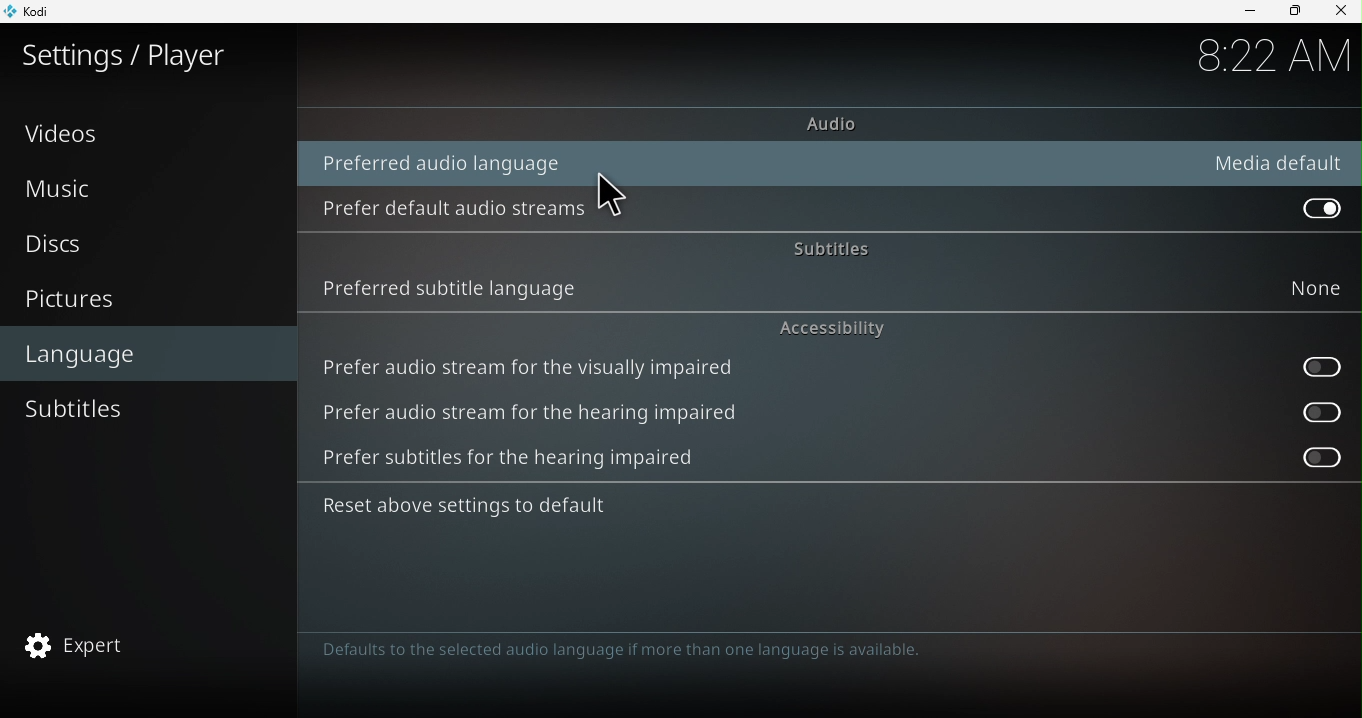 This screenshot has height=718, width=1362. Describe the element at coordinates (840, 164) in the screenshot. I see `Preferred audio language : Media default` at that location.